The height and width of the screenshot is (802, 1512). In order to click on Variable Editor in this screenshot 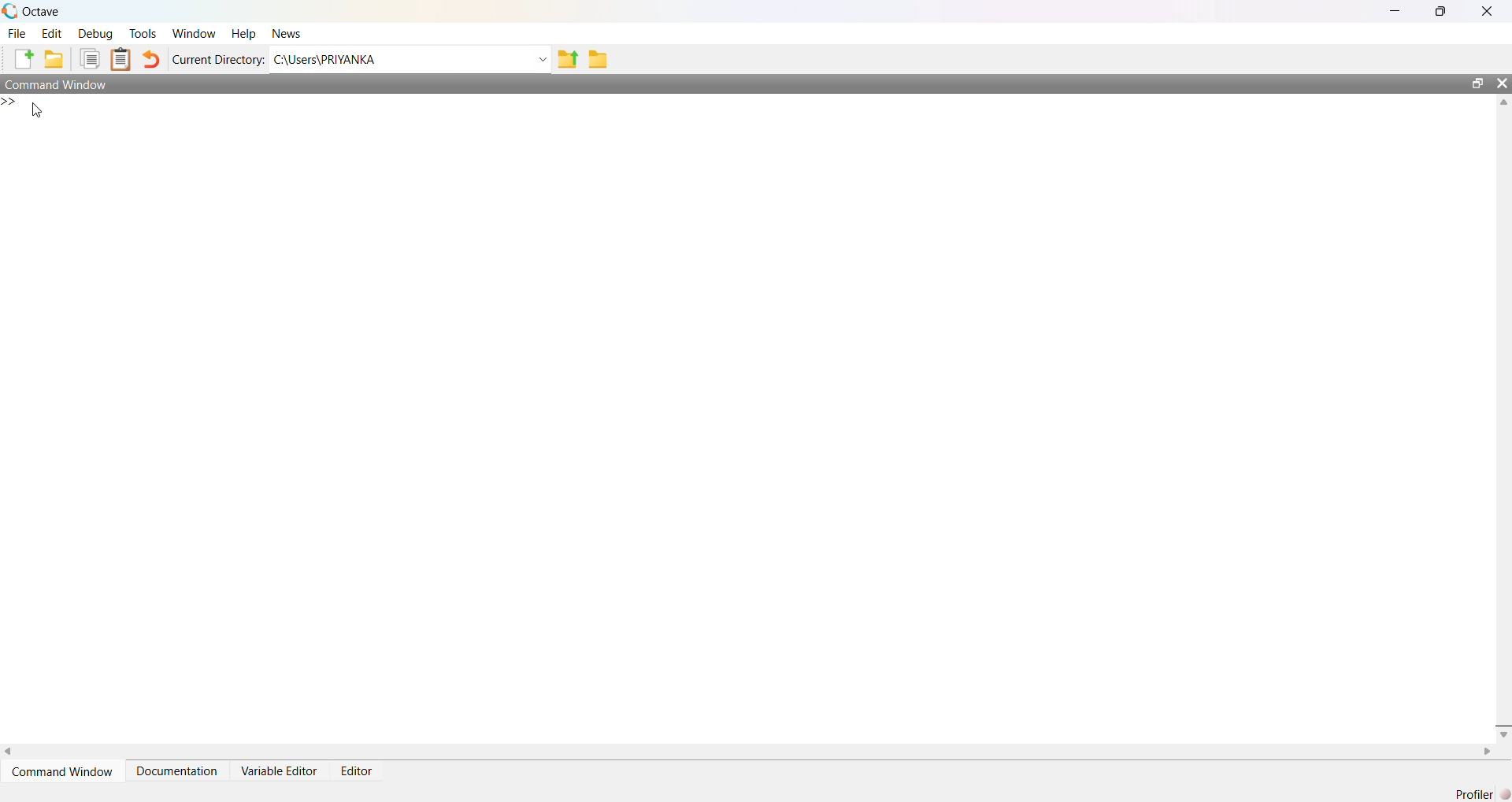, I will do `click(281, 770)`.